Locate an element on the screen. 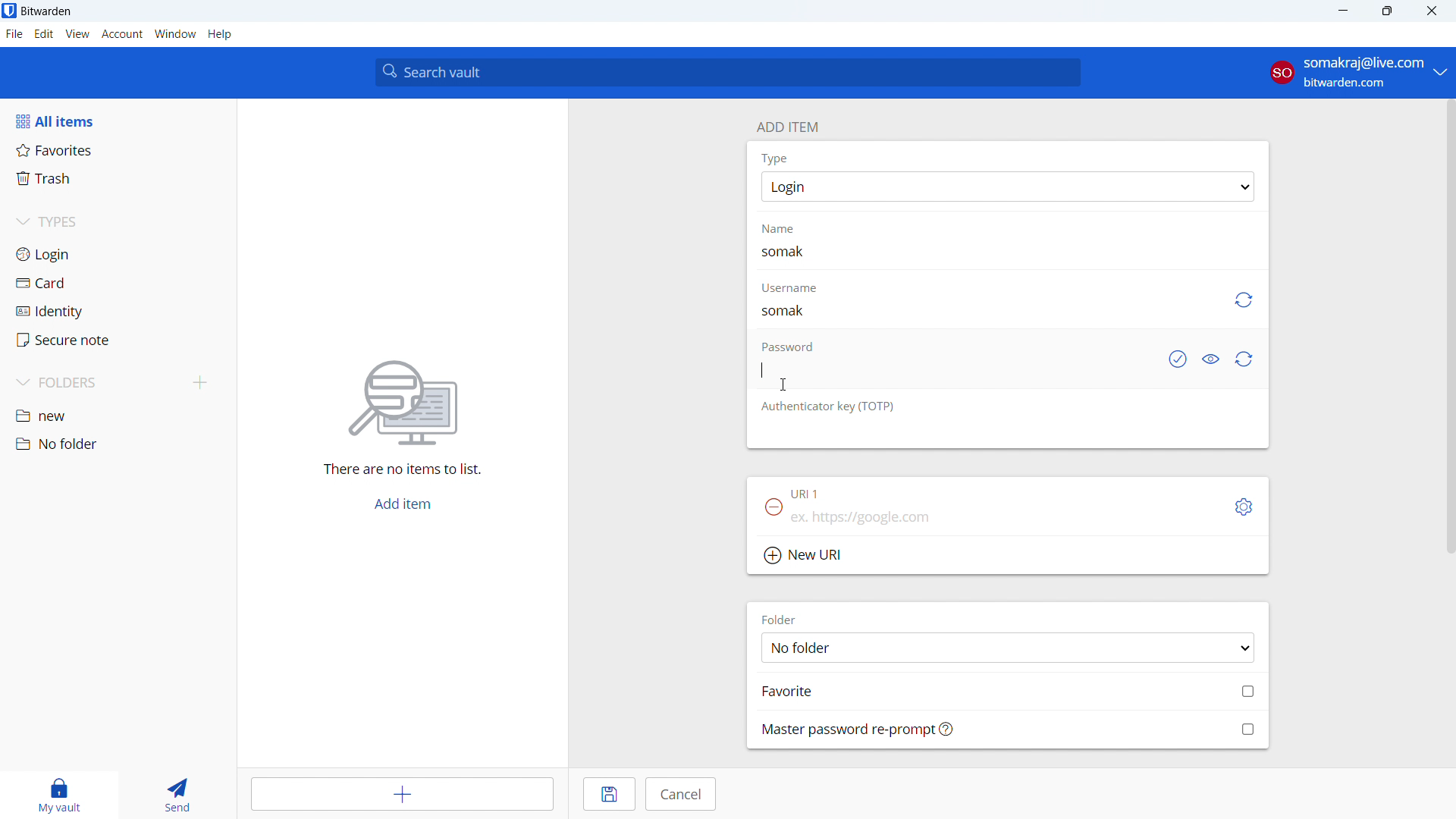 Image resolution: width=1456 pixels, height=819 pixels. password is located at coordinates (786, 345).